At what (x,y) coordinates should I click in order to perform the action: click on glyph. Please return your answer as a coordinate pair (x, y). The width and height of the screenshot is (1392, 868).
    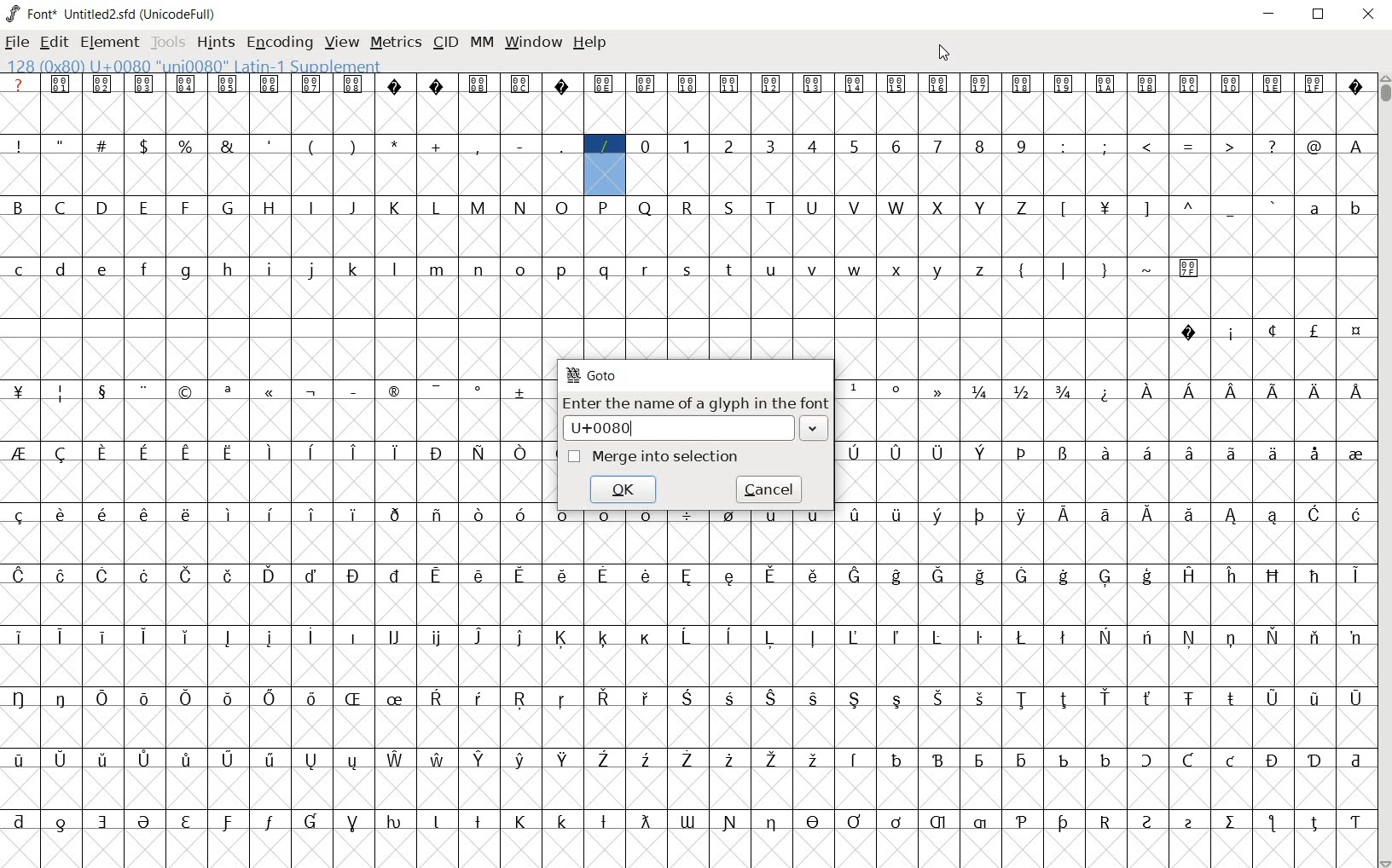
    Looking at the image, I should click on (19, 453).